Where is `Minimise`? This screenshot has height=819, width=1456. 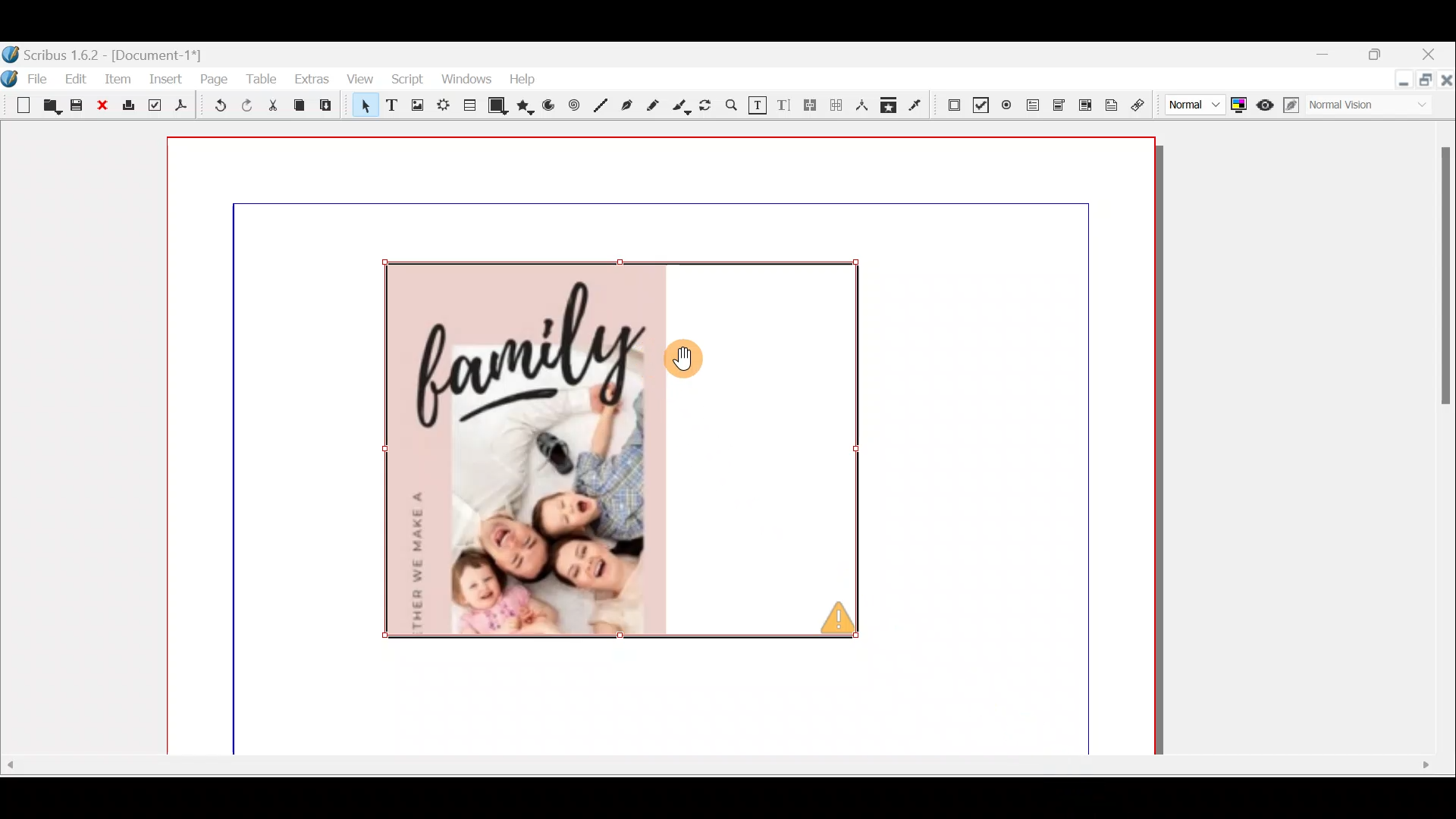 Minimise is located at coordinates (1330, 56).